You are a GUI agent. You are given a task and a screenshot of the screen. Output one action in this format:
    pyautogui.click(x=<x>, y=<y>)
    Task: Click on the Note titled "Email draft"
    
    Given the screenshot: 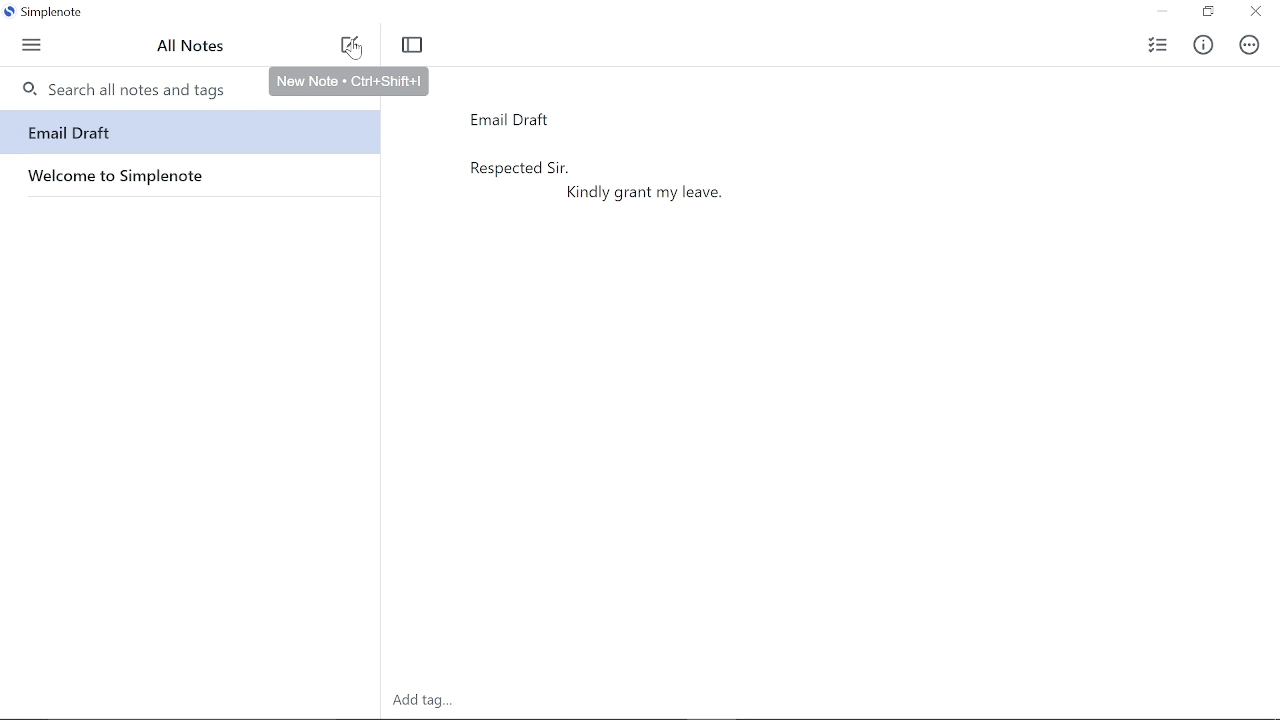 What is the action you would take?
    pyautogui.click(x=190, y=132)
    